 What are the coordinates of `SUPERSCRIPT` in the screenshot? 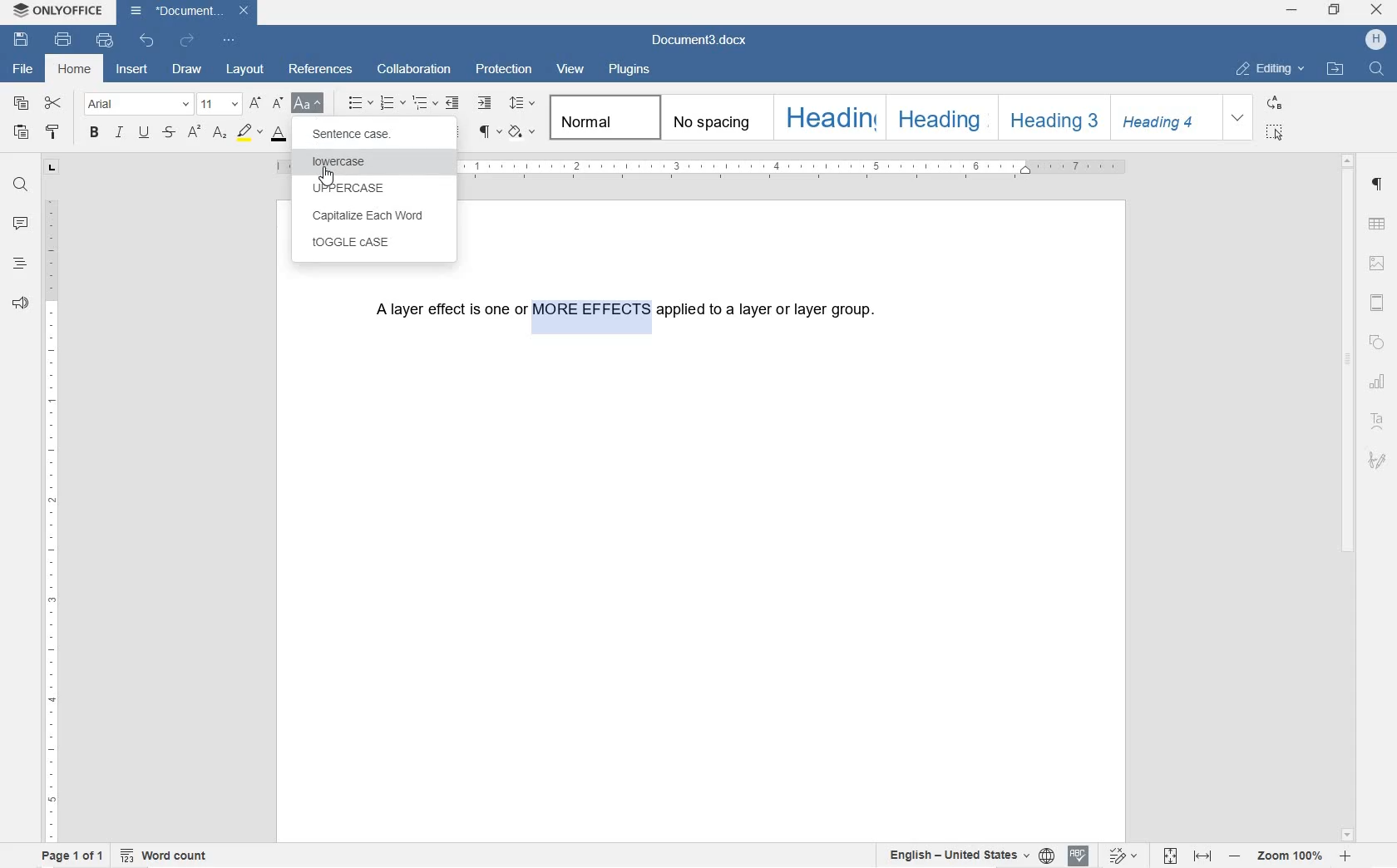 It's located at (194, 132).